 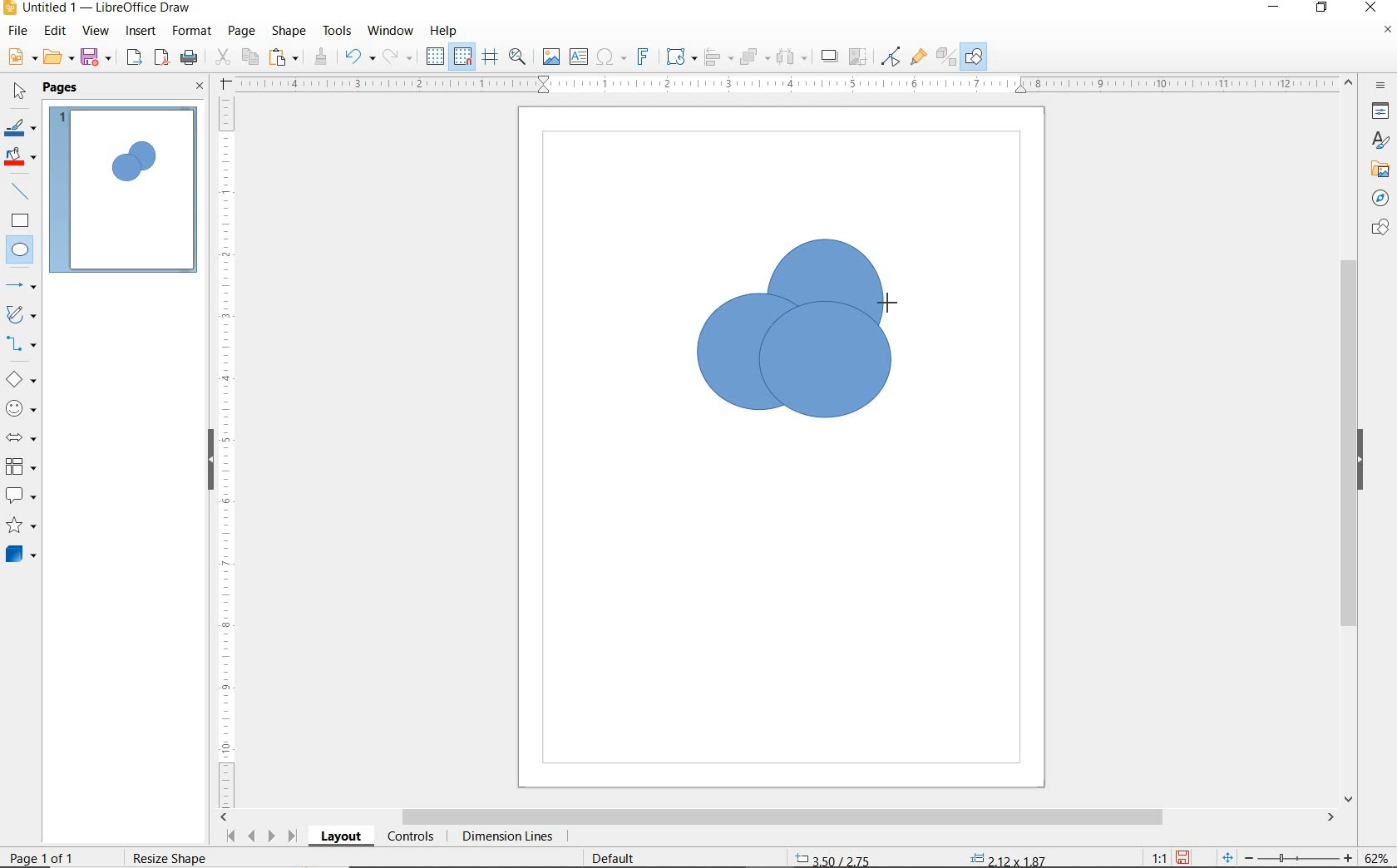 I want to click on CIRCLE ADDED, so click(x=125, y=167).